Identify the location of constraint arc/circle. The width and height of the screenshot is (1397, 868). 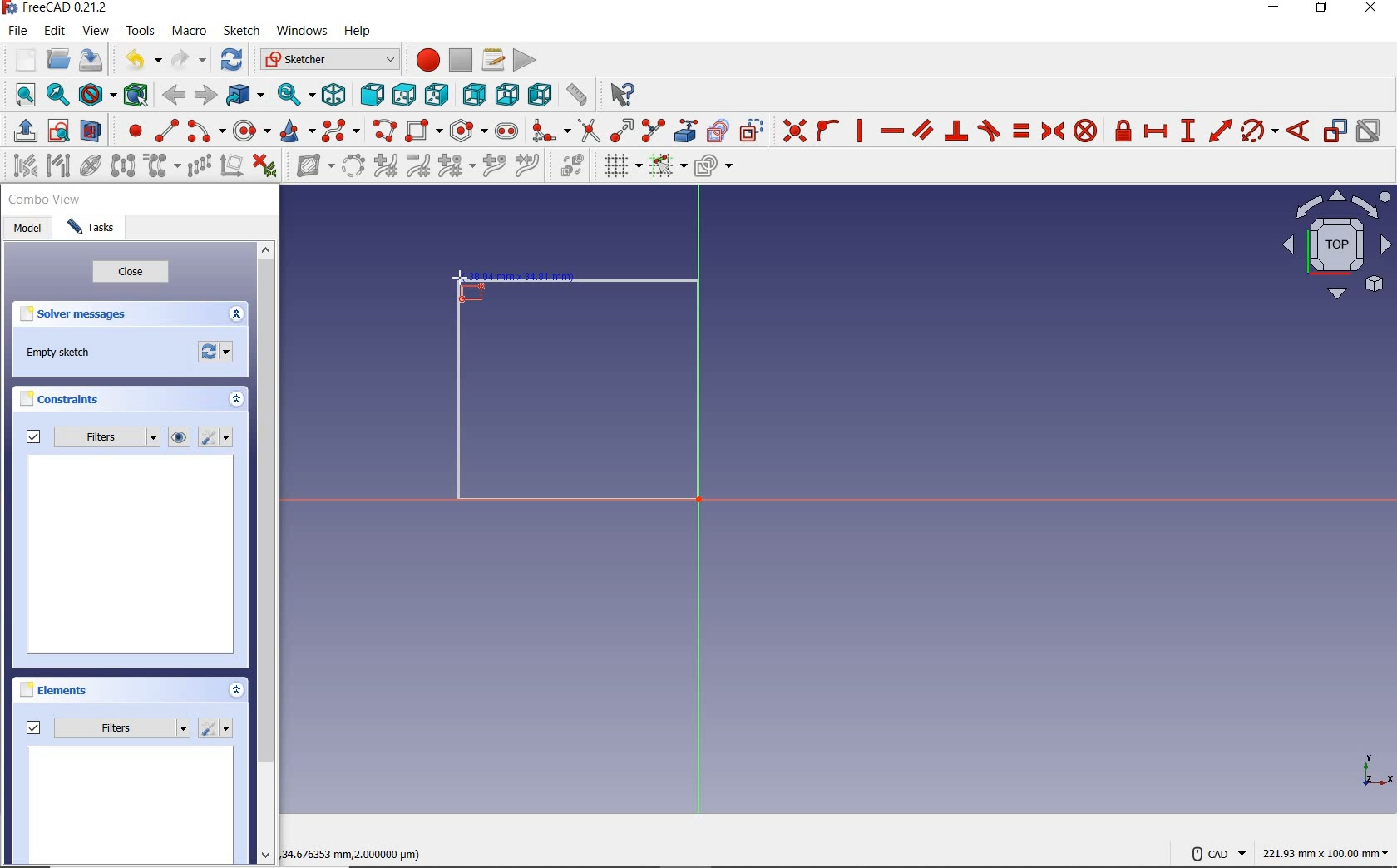
(1260, 131).